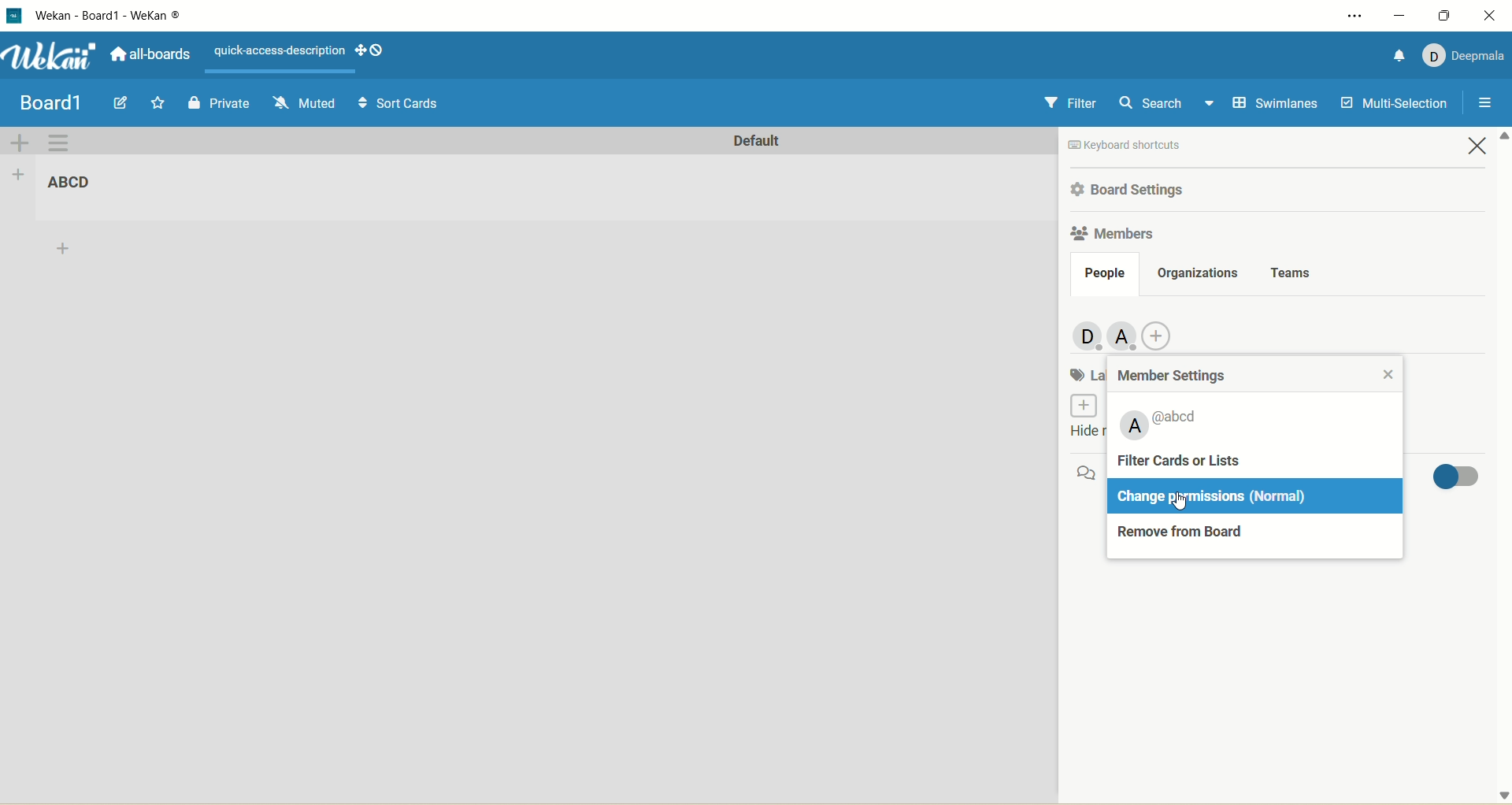 This screenshot has width=1512, height=805. What do you see at coordinates (1348, 13) in the screenshot?
I see `setting and more` at bounding box center [1348, 13].